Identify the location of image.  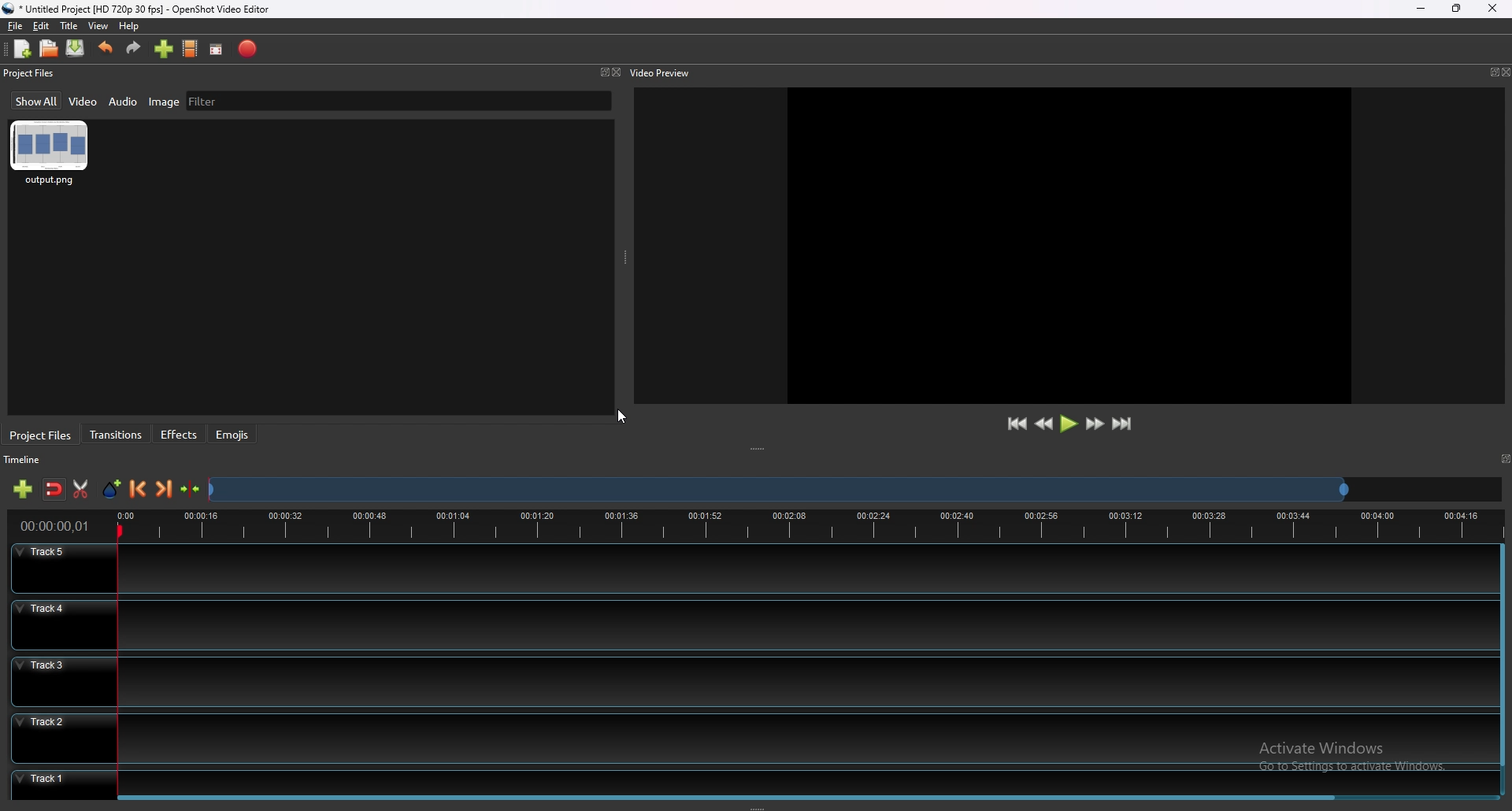
(50, 154).